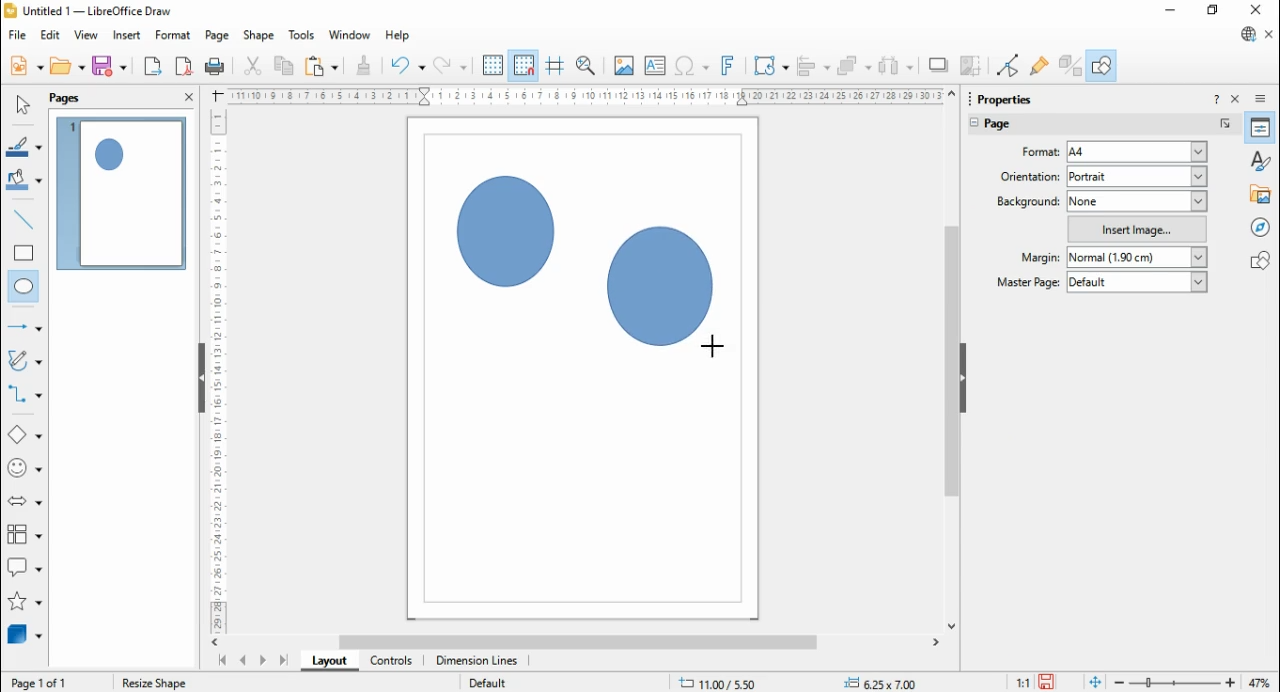 The width and height of the screenshot is (1280, 692). Describe the element at coordinates (939, 65) in the screenshot. I see `shadow` at that location.